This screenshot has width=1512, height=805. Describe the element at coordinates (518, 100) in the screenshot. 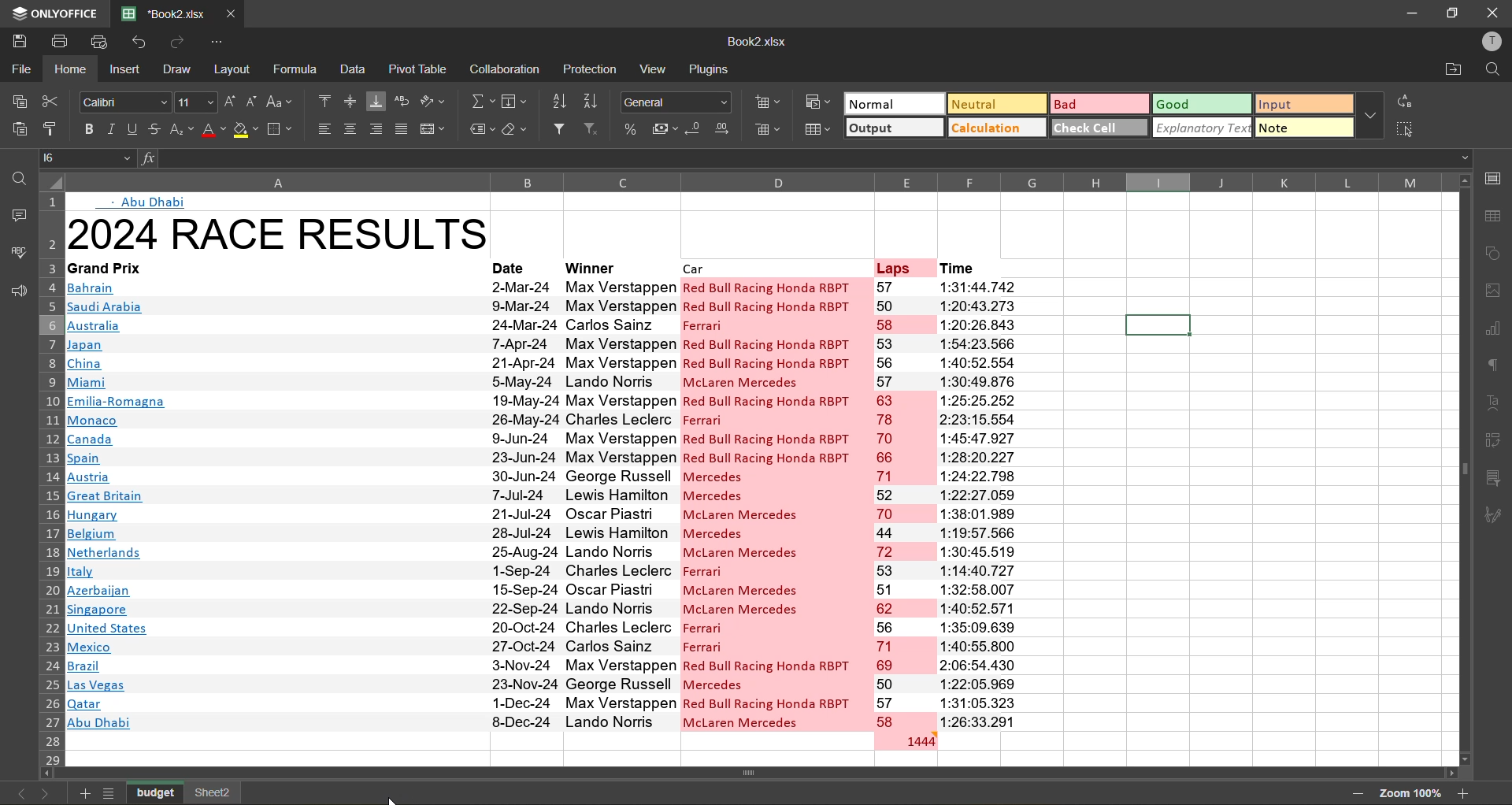

I see `fields` at that location.